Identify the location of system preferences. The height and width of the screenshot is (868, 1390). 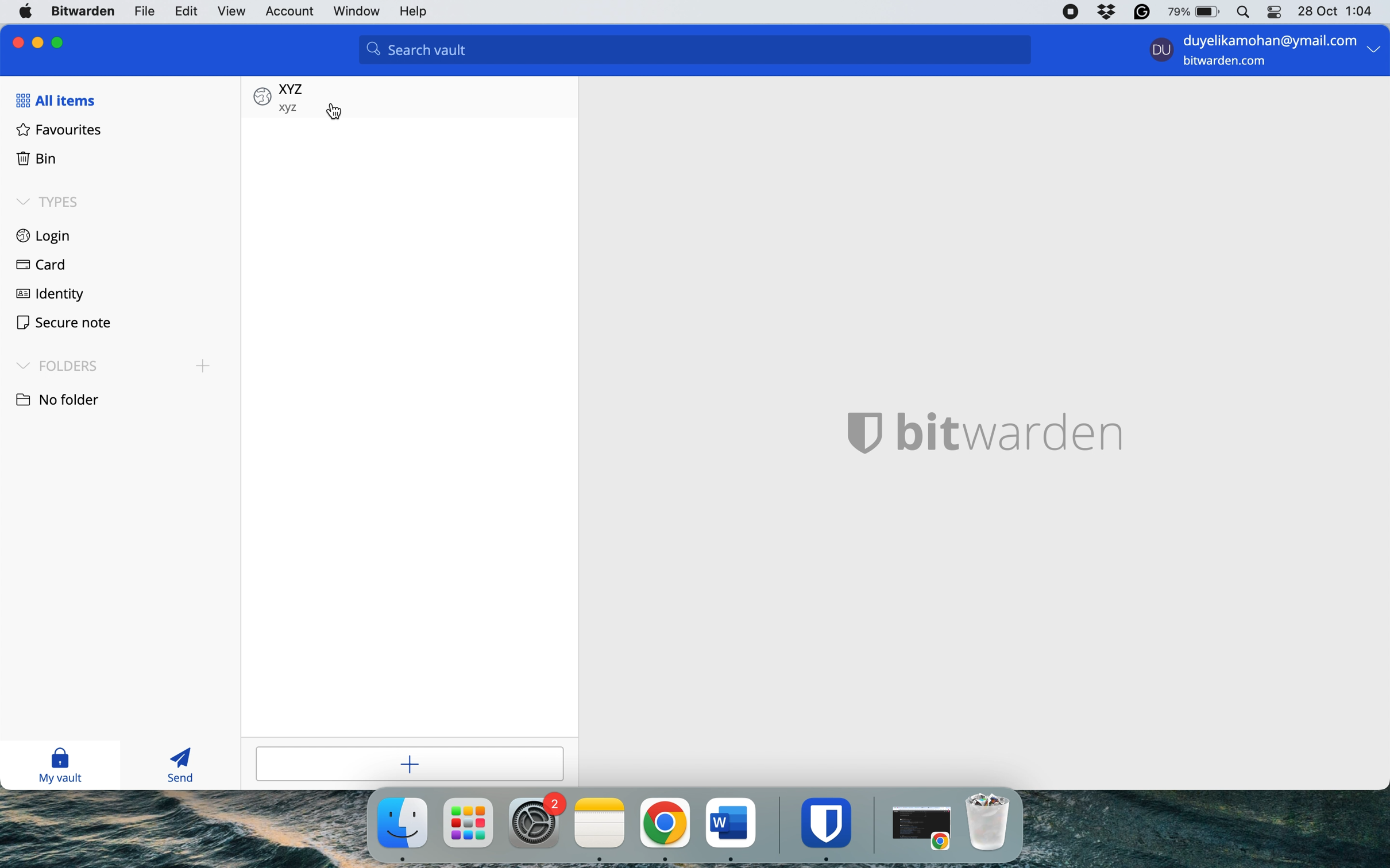
(536, 822).